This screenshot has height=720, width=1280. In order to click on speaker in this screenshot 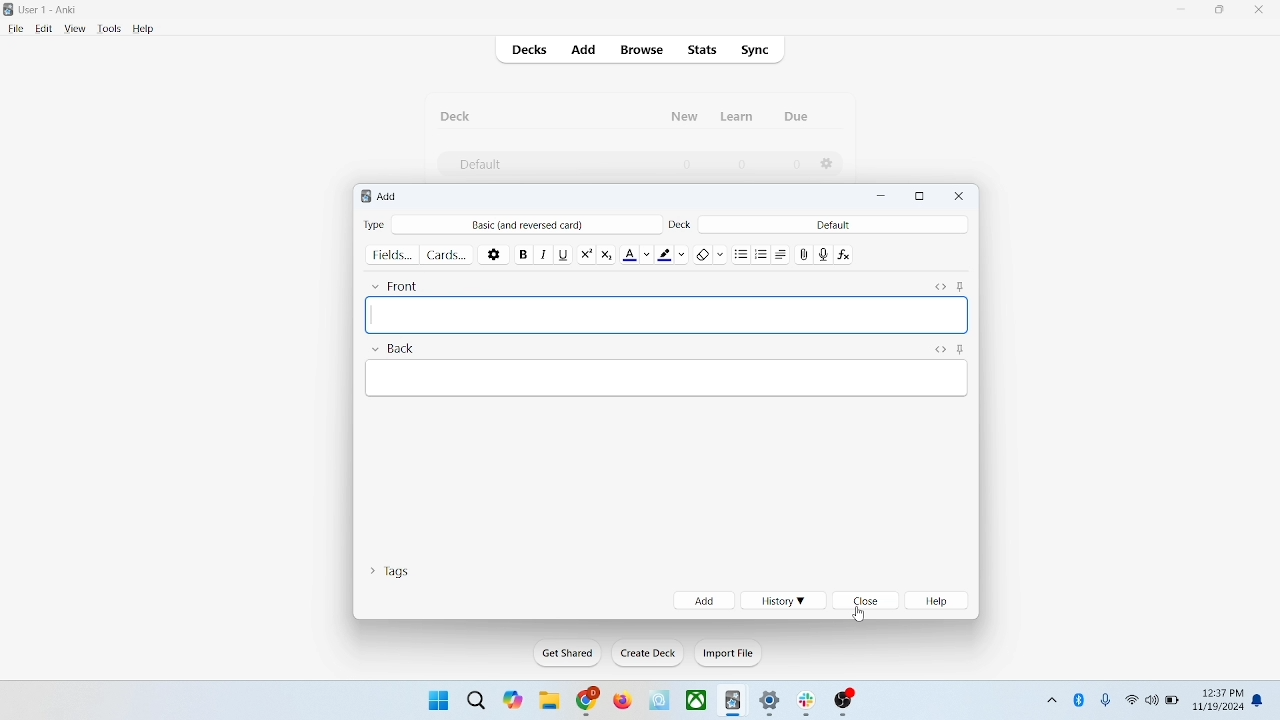, I will do `click(1152, 699)`.